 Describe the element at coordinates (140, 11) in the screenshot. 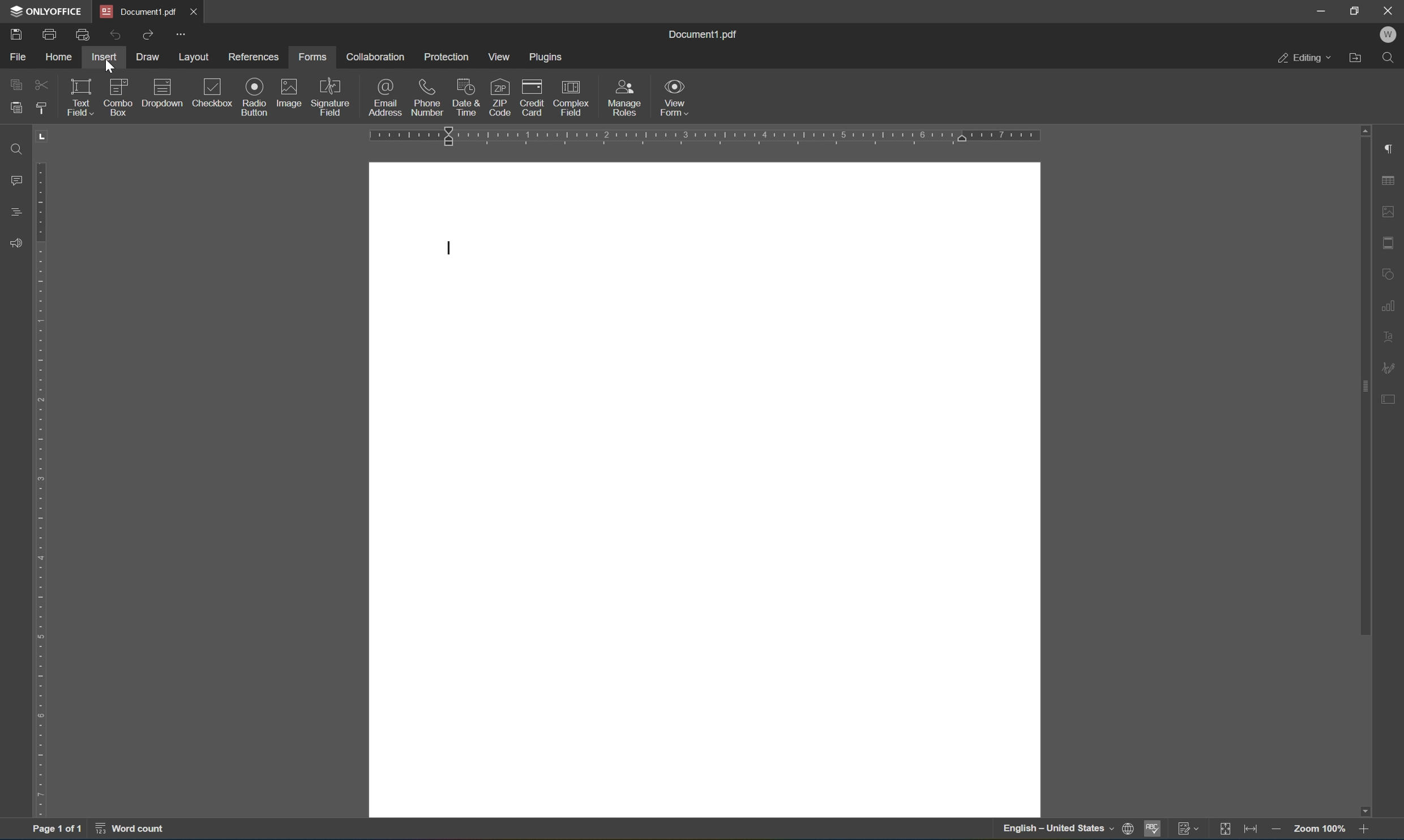

I see `document.pdf` at that location.